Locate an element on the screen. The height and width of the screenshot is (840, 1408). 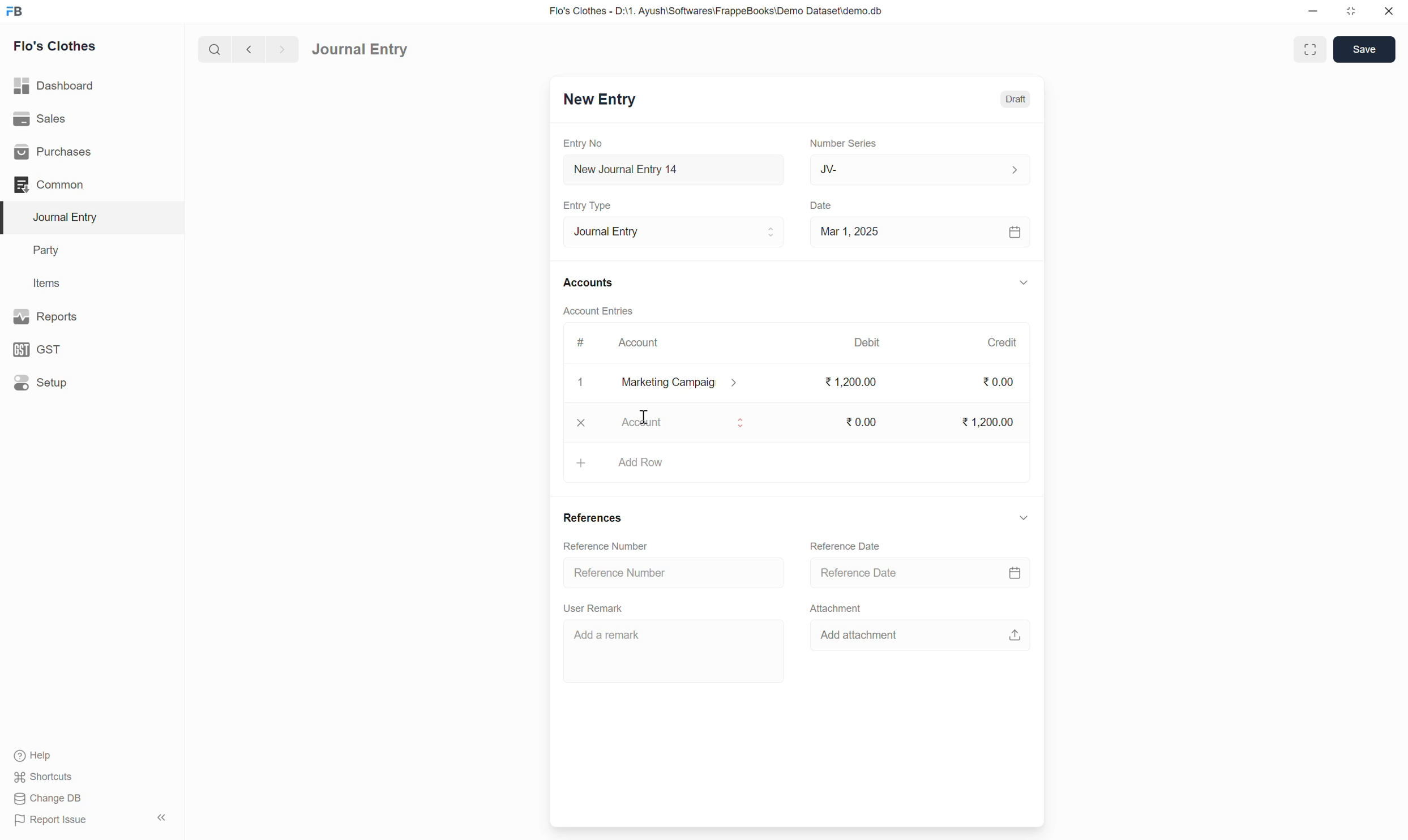
Add a remark is located at coordinates (658, 648).